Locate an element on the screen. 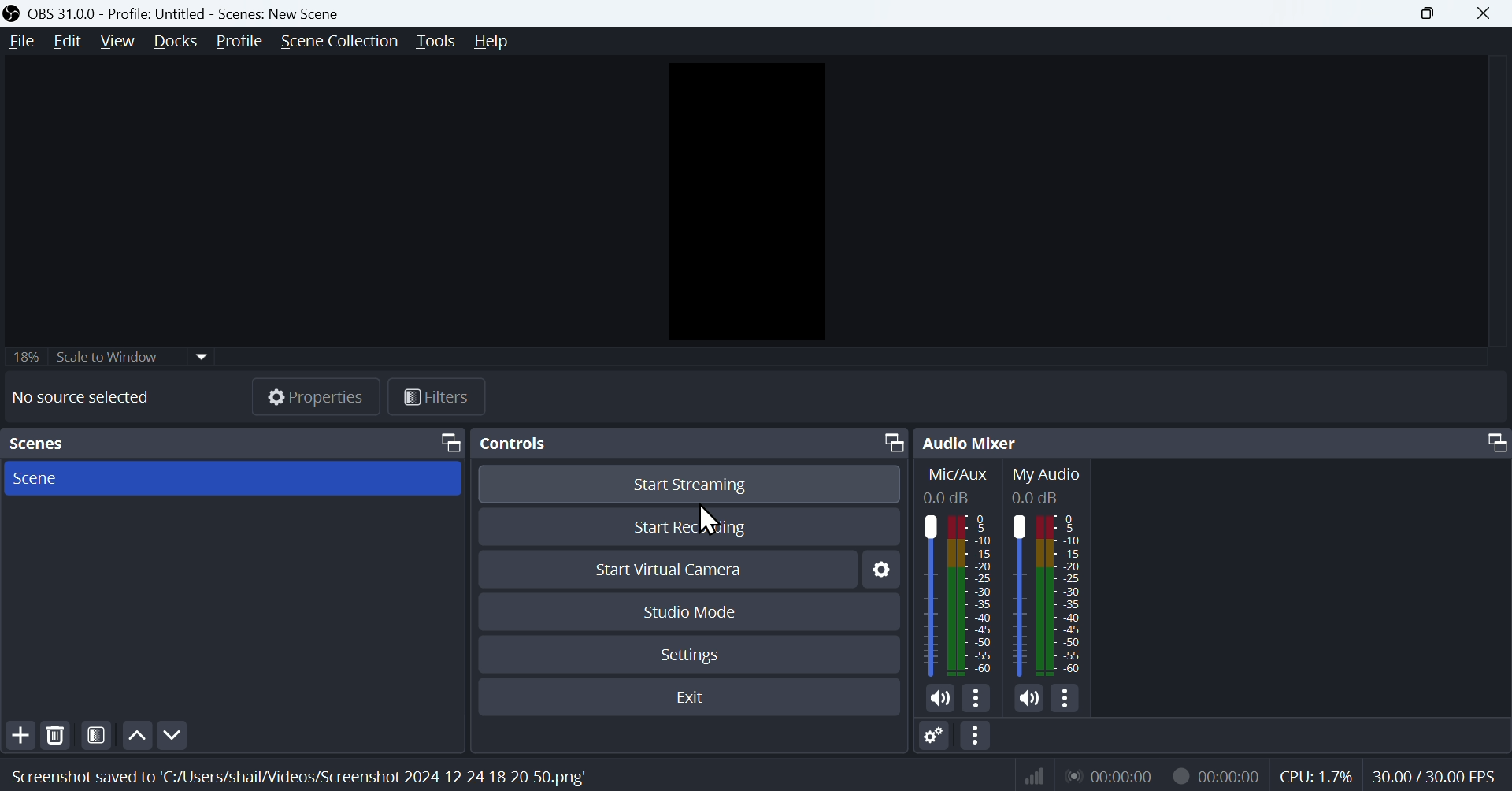  Audio Mixer is located at coordinates (973, 442).